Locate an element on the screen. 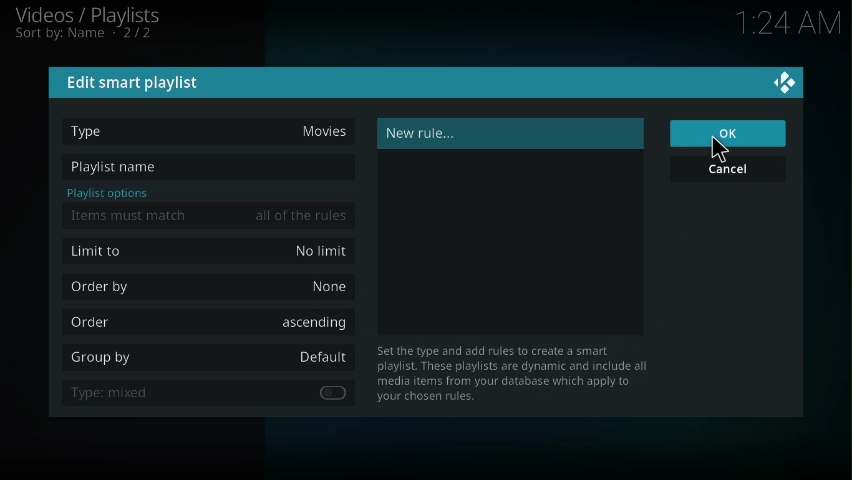 This screenshot has width=852, height=480. none is located at coordinates (328, 285).